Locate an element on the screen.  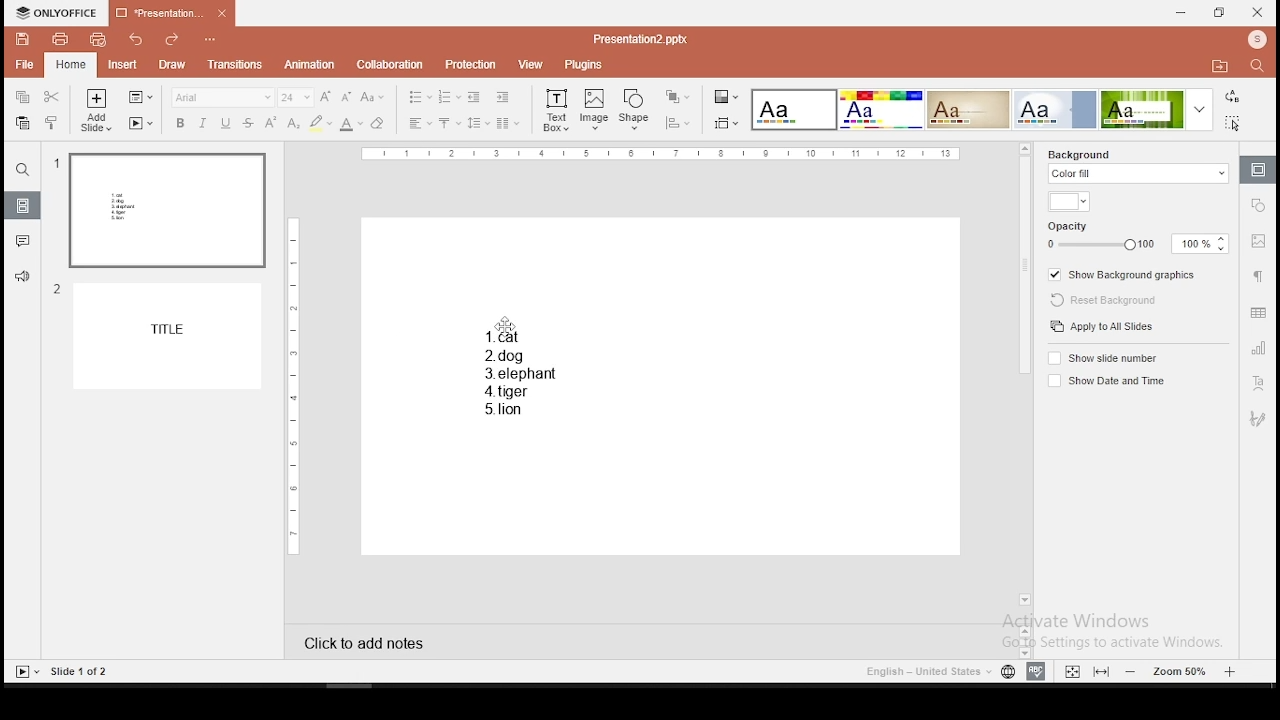
chart settings is located at coordinates (1256, 350).